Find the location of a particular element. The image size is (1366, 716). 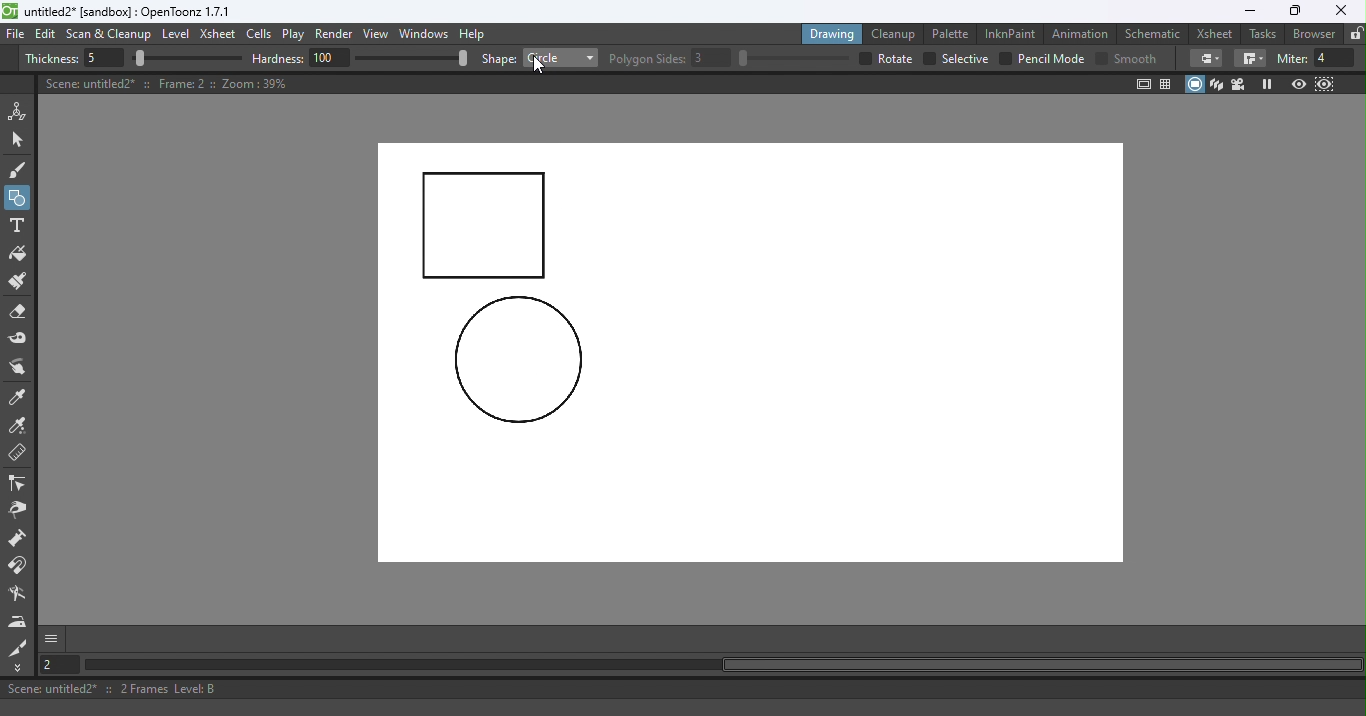

5 is located at coordinates (101, 59).